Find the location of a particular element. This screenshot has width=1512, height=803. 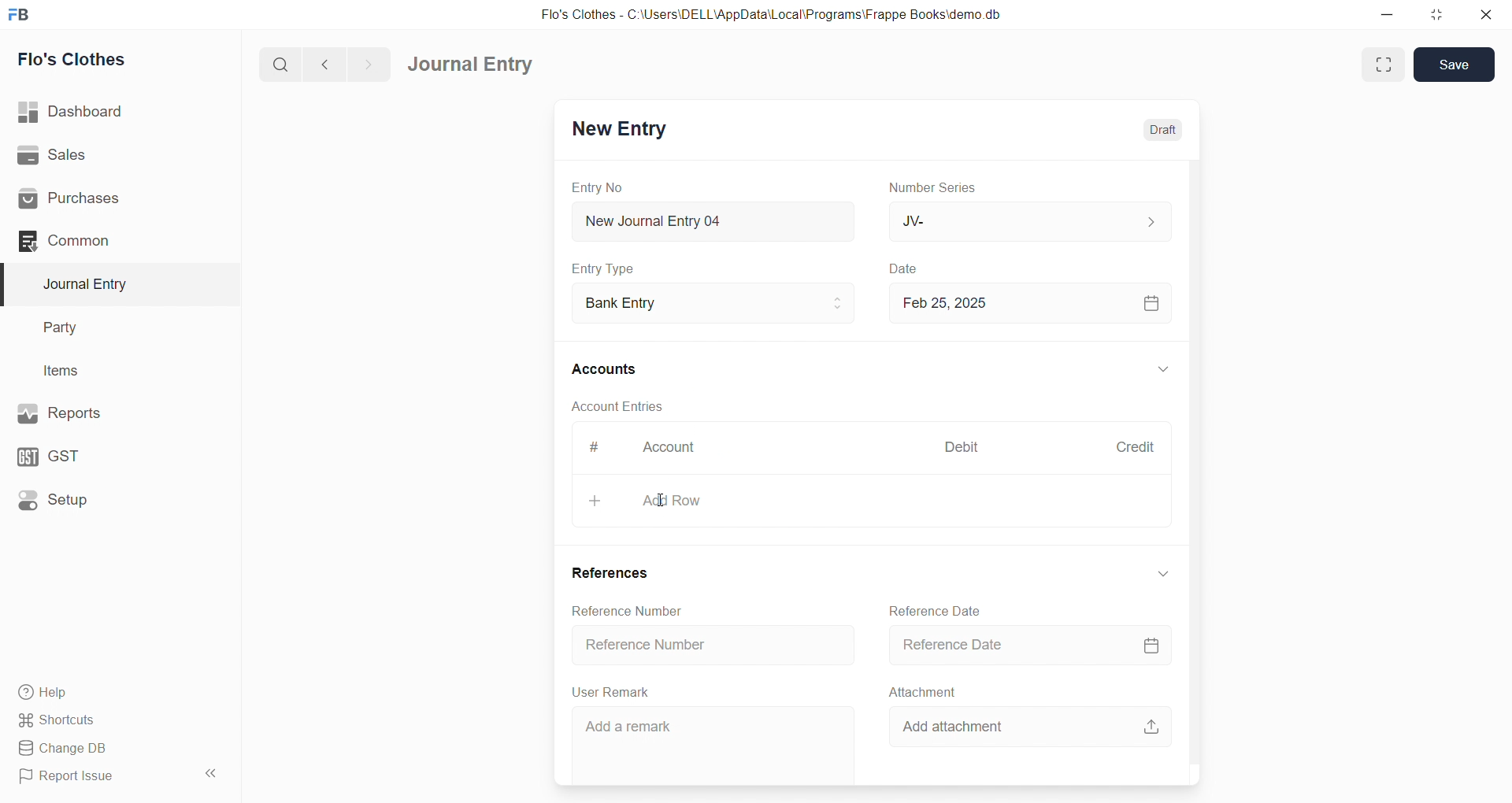

Flo's Clothes - C:\Users\DELL\AppData\Local\Programs\Frappe Books\demo.db is located at coordinates (771, 15).